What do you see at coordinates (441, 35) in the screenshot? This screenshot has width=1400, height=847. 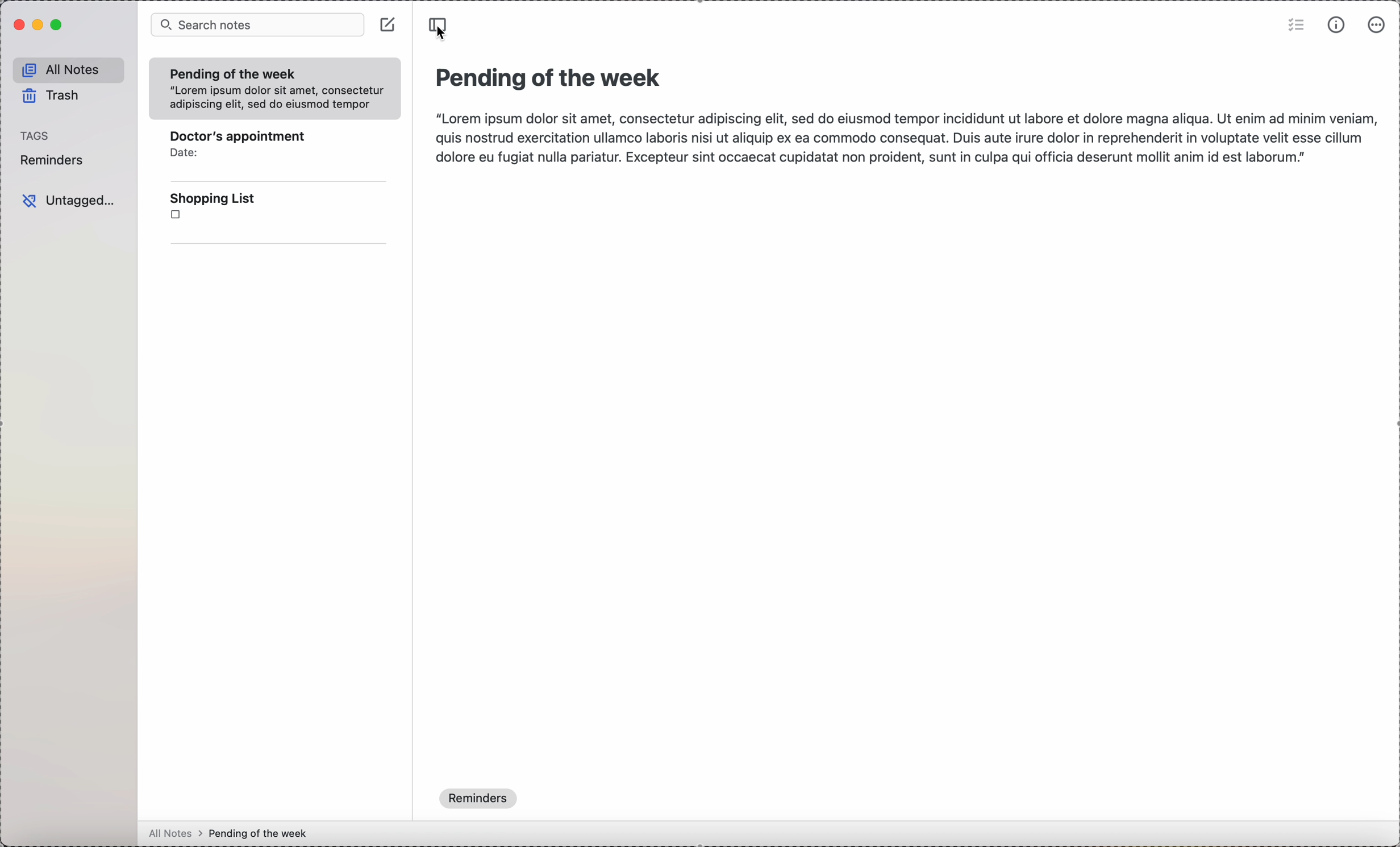 I see `cursor` at bounding box center [441, 35].